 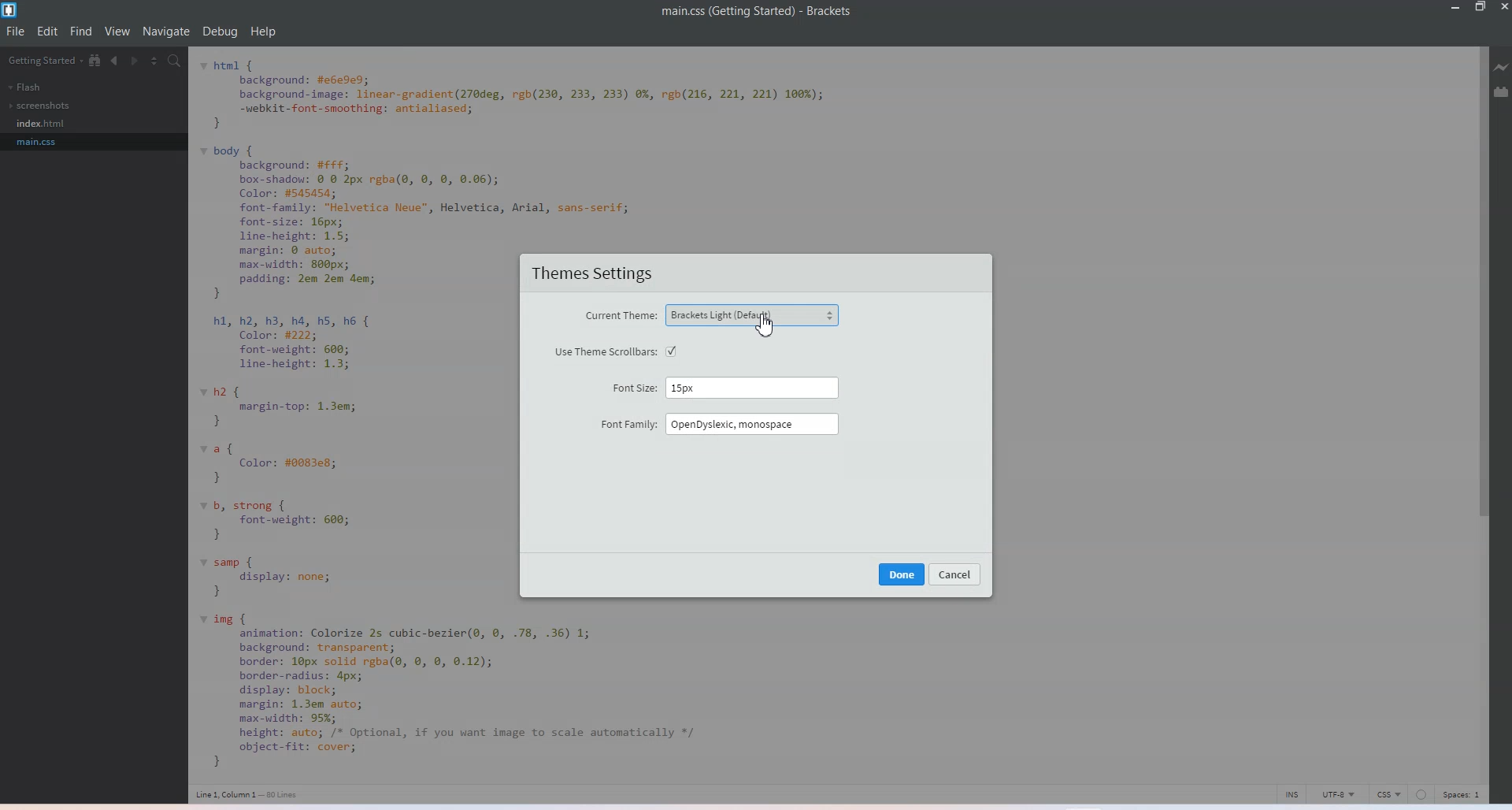 I want to click on Edit, so click(x=49, y=31).